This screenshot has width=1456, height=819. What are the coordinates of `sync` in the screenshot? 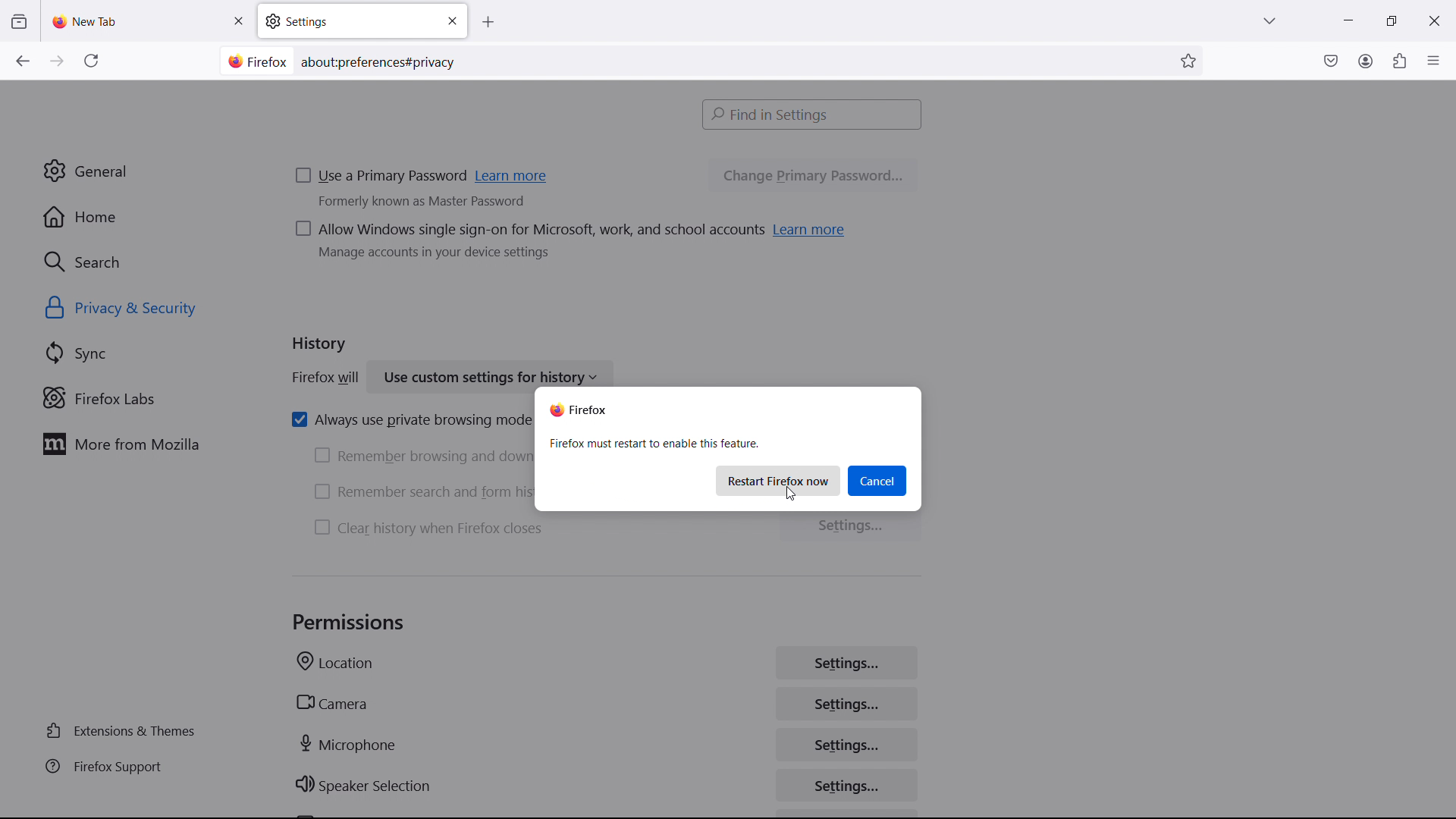 It's located at (149, 353).